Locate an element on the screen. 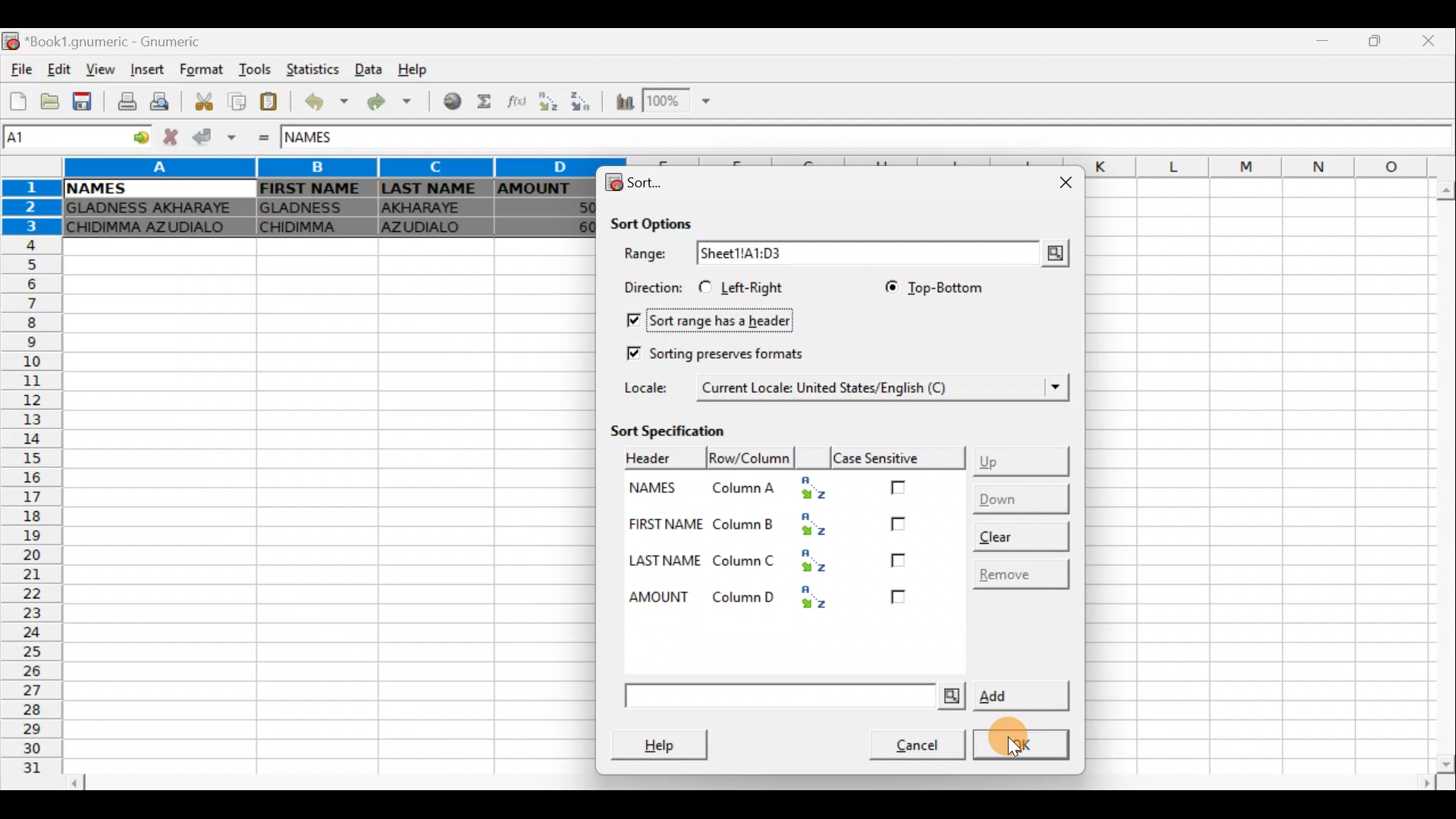  Print current file is located at coordinates (128, 99).